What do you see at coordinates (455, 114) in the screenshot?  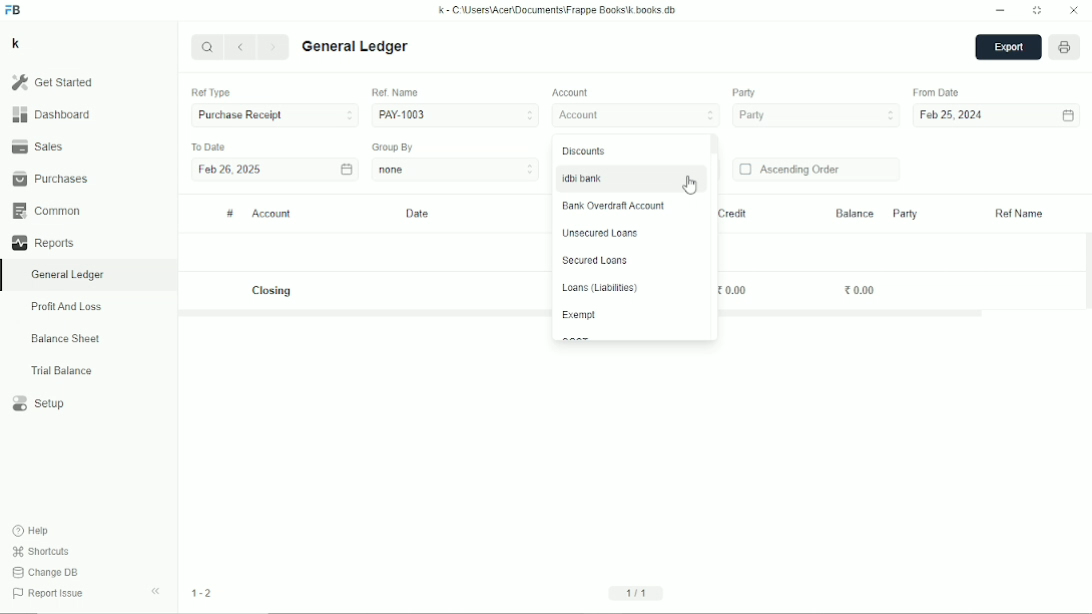 I see `PAY-1003` at bounding box center [455, 114].